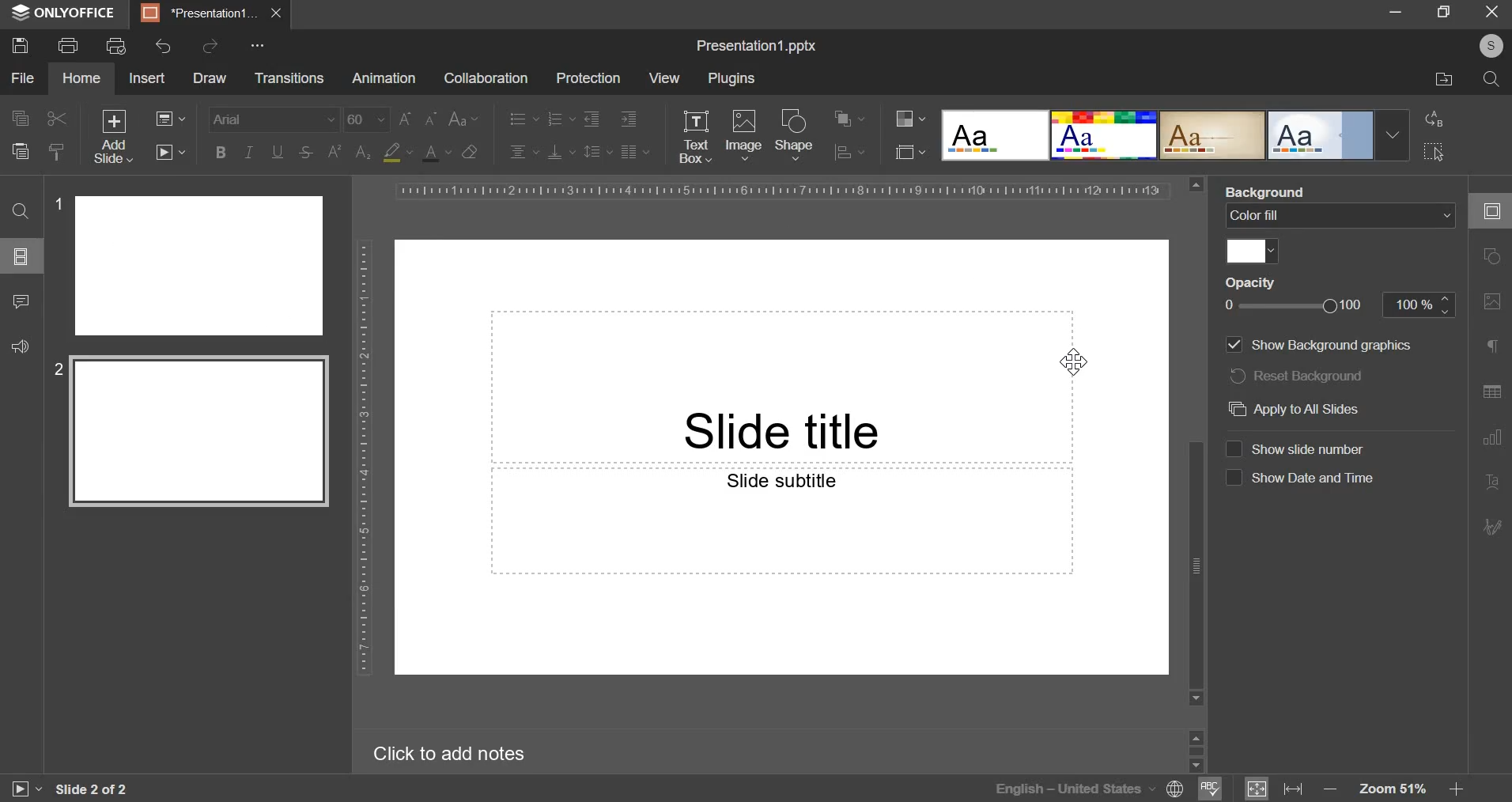 The height and width of the screenshot is (802, 1512). Describe the element at coordinates (781, 385) in the screenshot. I see `slide title` at that location.